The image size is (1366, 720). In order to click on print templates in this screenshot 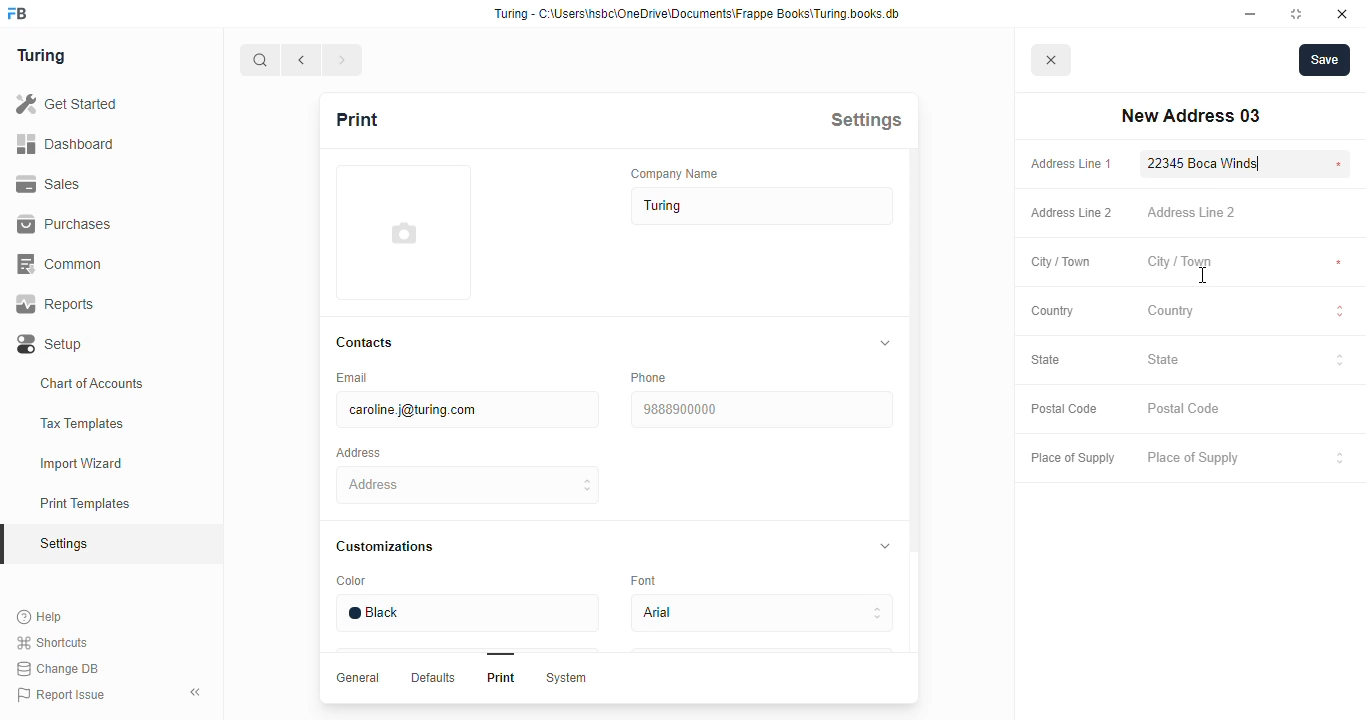, I will do `click(85, 503)`.